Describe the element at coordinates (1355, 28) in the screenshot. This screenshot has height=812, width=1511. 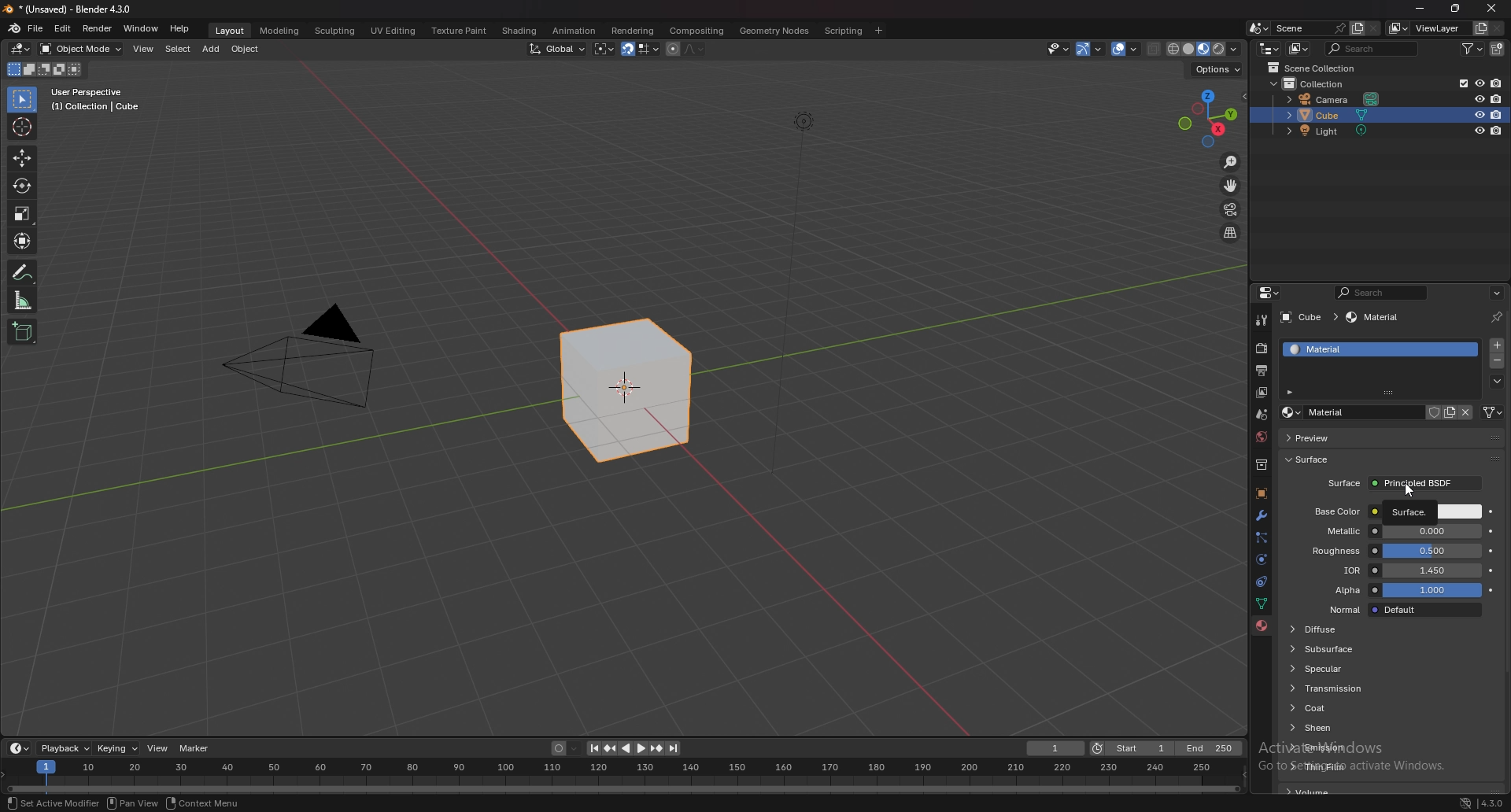
I see `add scene` at that location.